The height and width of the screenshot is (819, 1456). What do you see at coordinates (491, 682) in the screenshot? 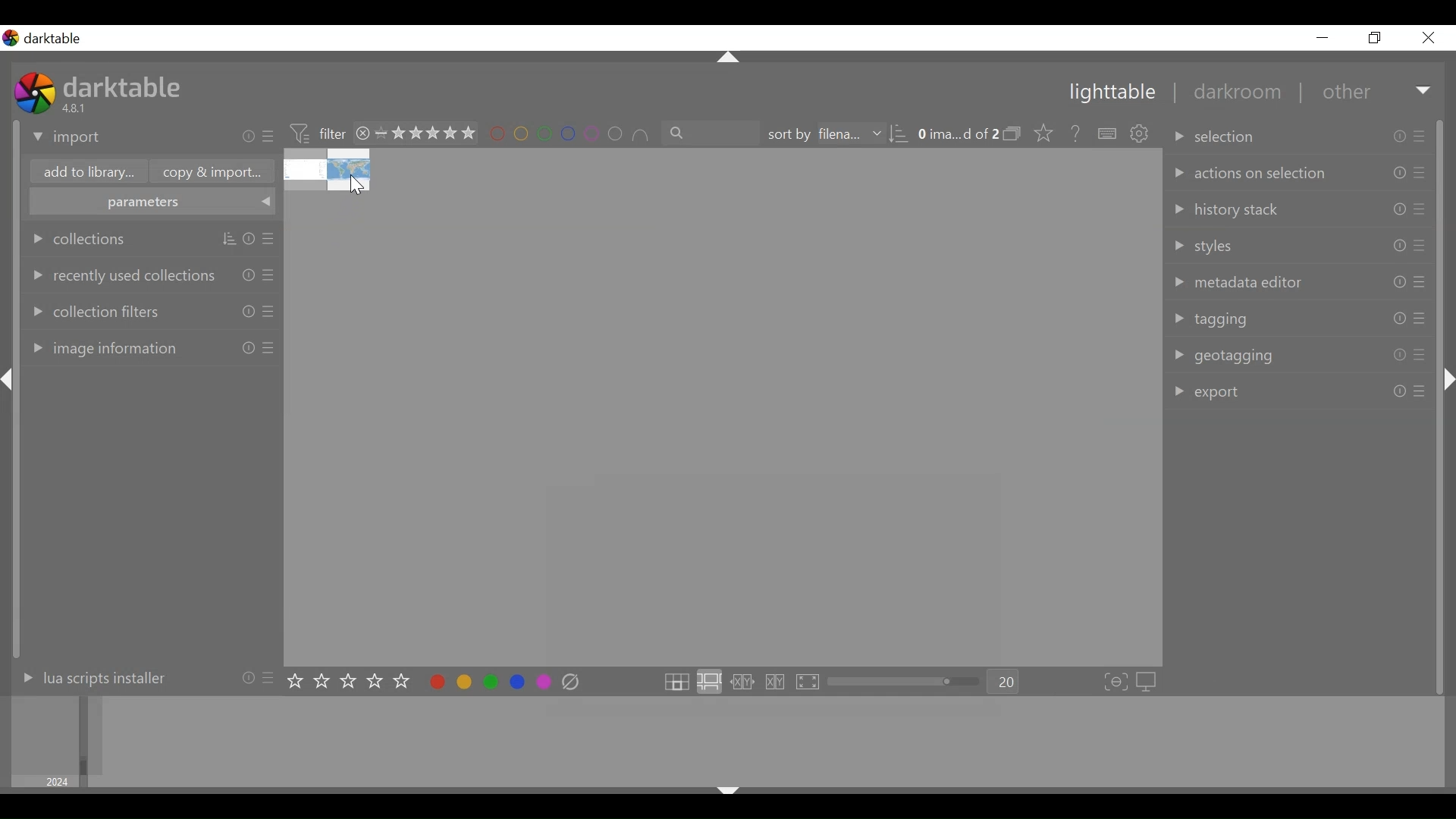
I see `toggle color label for selected image` at bounding box center [491, 682].